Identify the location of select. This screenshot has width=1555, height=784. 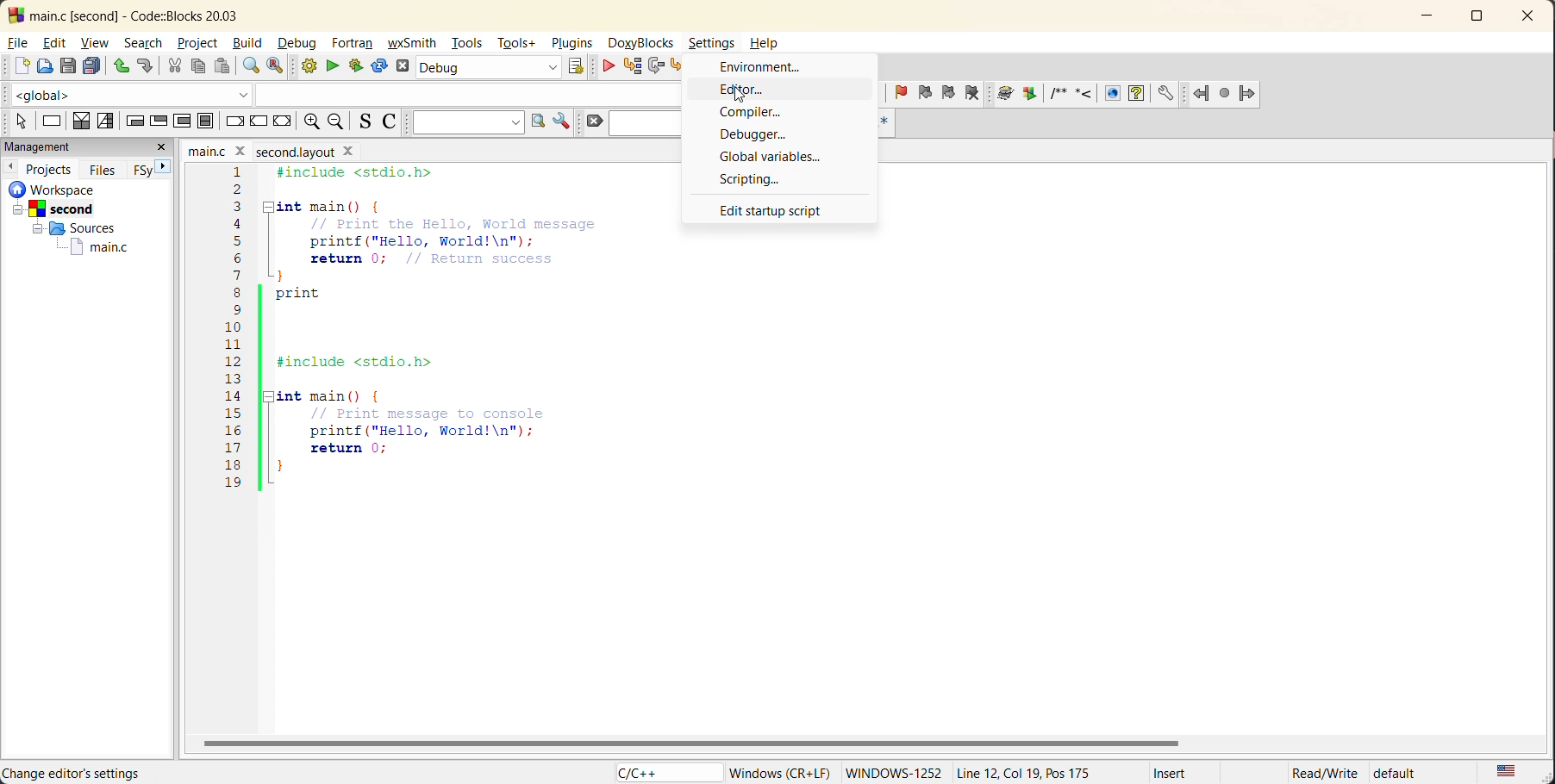
(21, 121).